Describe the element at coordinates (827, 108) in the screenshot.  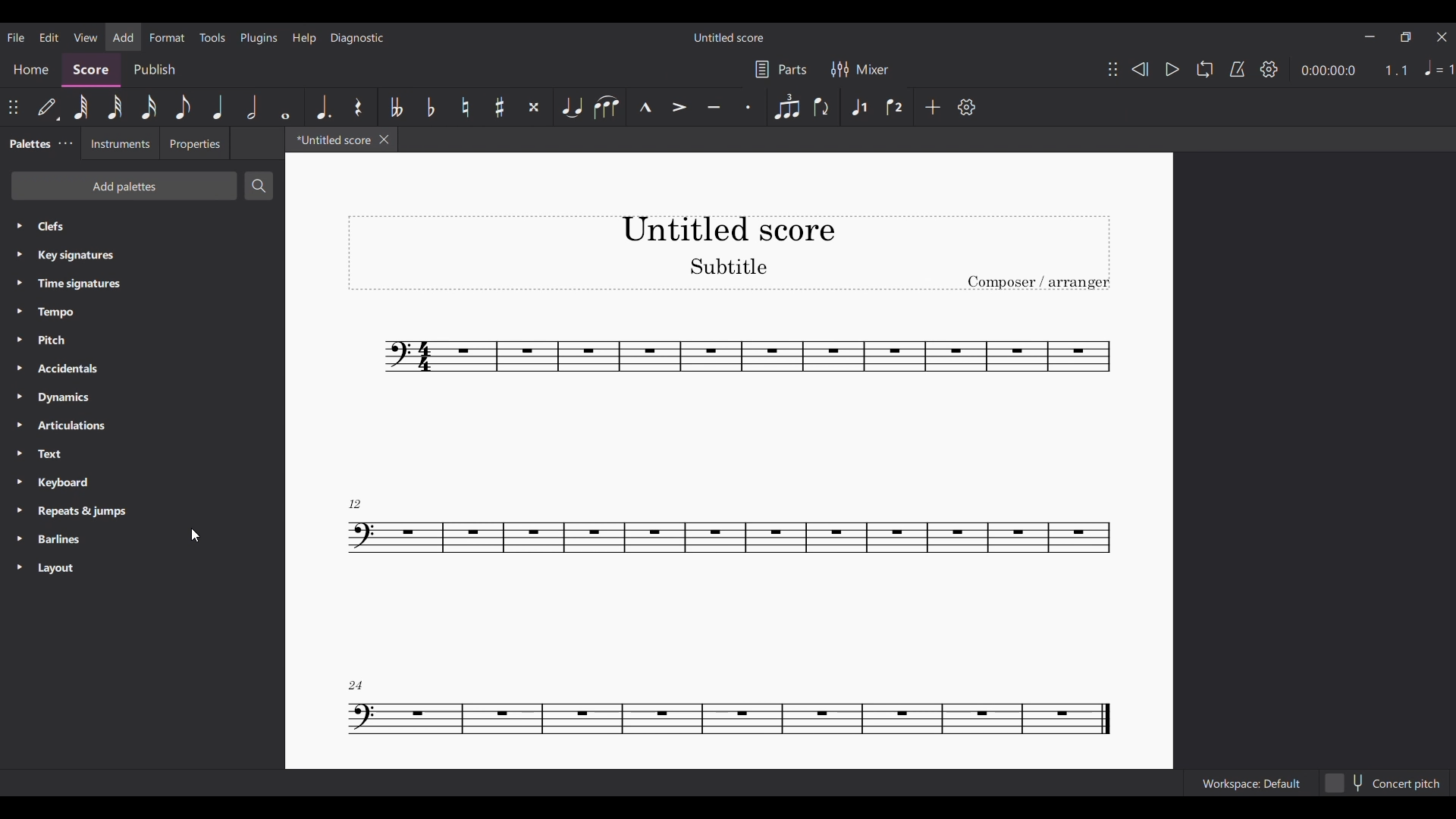
I see `Eighth note` at that location.